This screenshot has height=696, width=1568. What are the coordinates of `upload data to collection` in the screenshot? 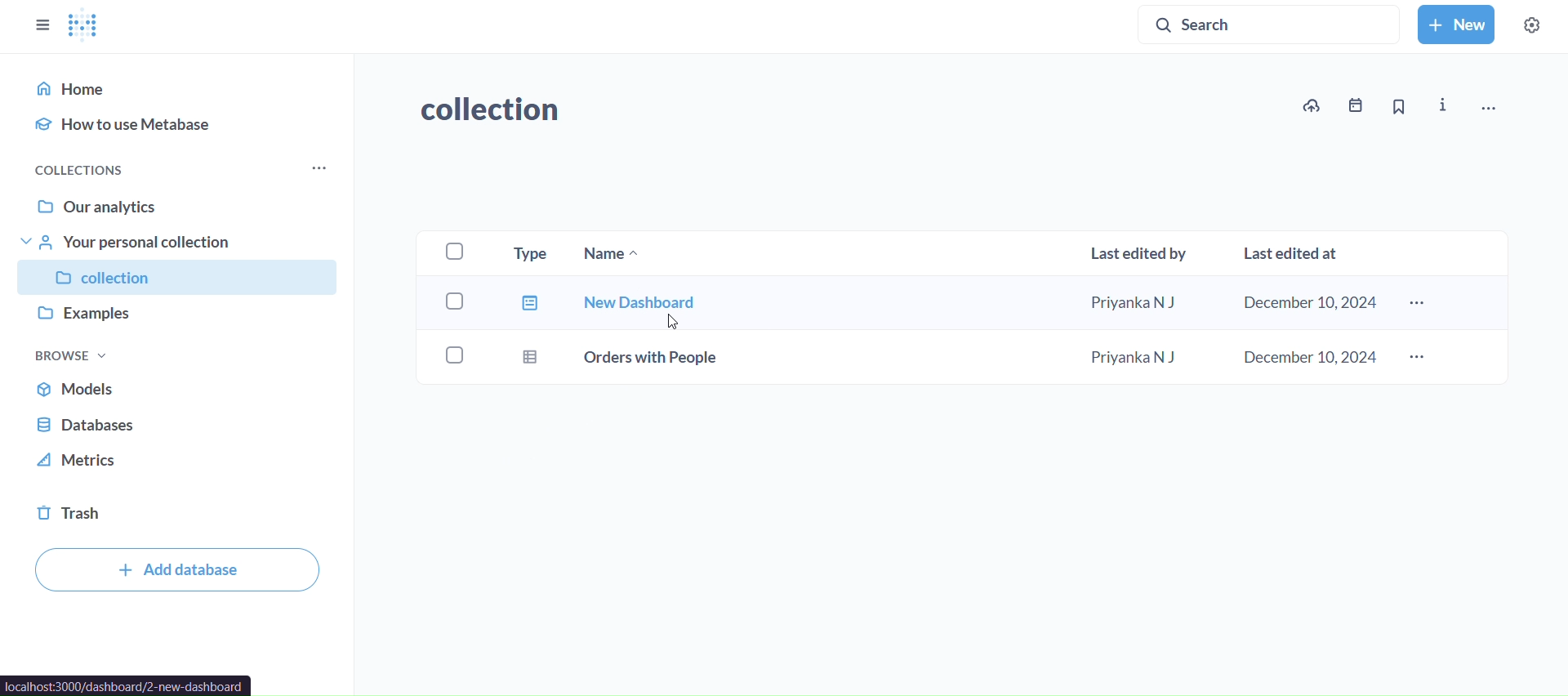 It's located at (1309, 107).